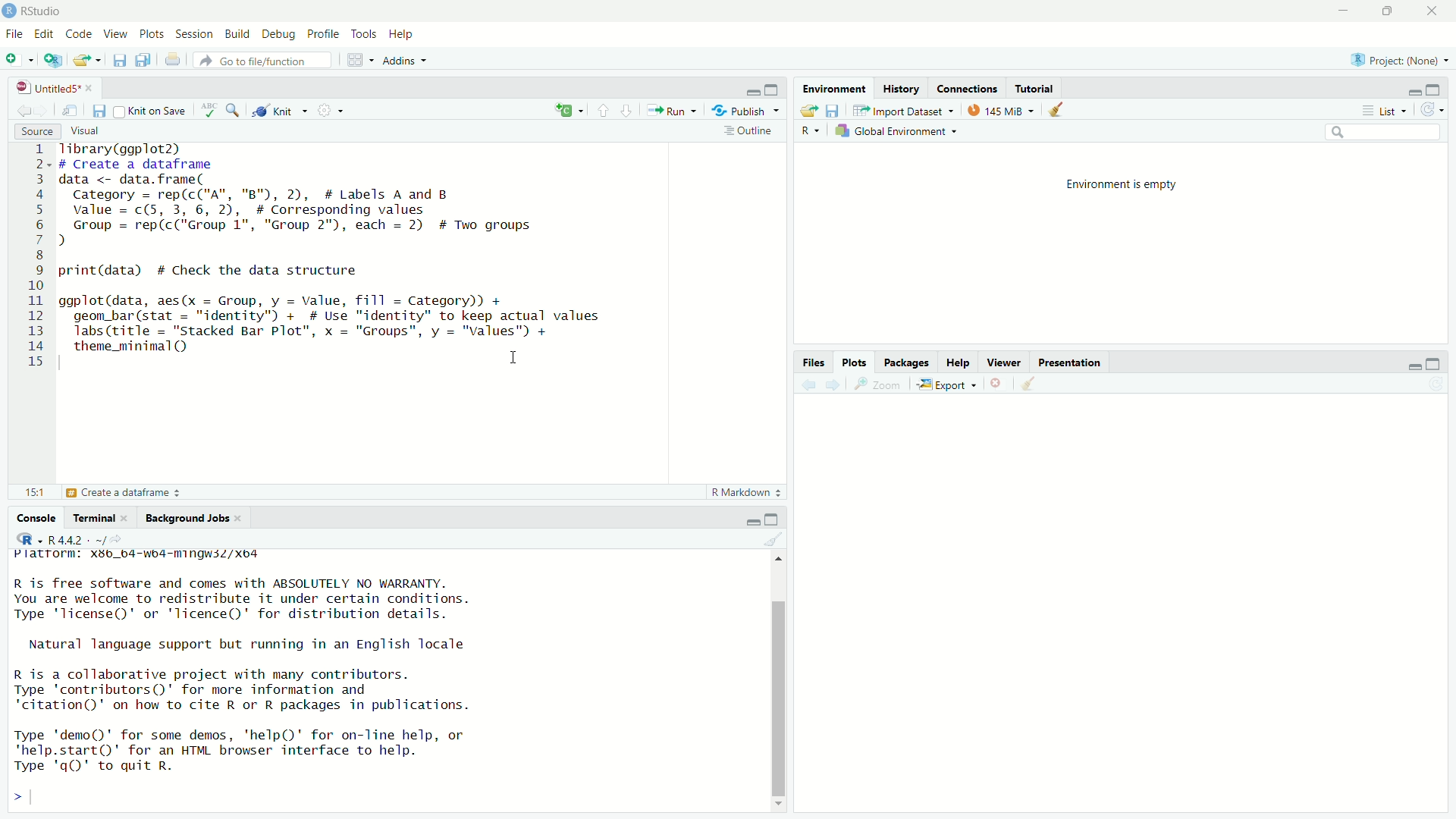  Describe the element at coordinates (36, 130) in the screenshot. I see `Source` at that location.